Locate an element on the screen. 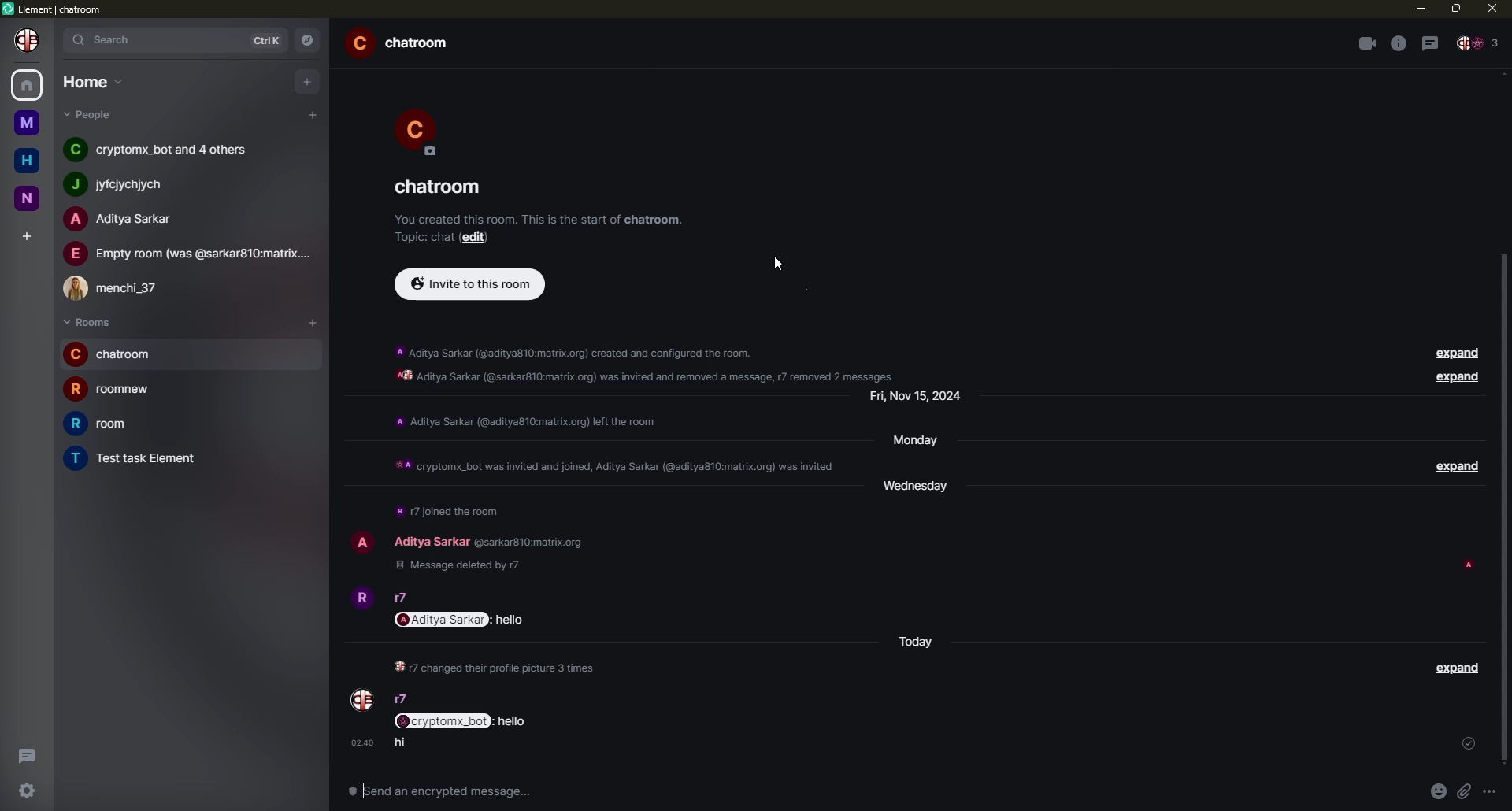 The width and height of the screenshot is (1512, 811). topic is located at coordinates (425, 239).